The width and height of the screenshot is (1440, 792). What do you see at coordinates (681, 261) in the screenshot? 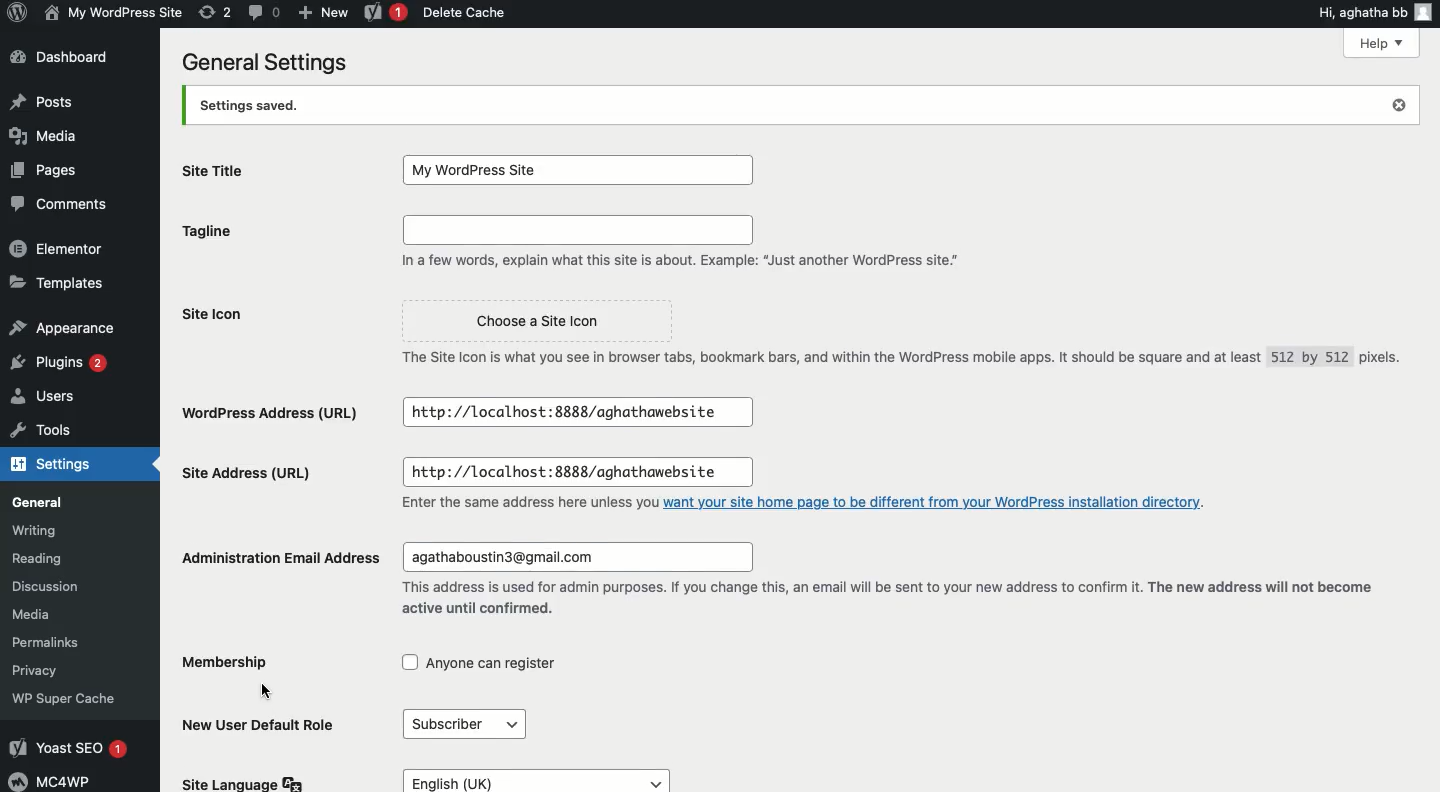
I see `In a few words, explain what this site is about. Example: “Just another WordPress site."` at bounding box center [681, 261].